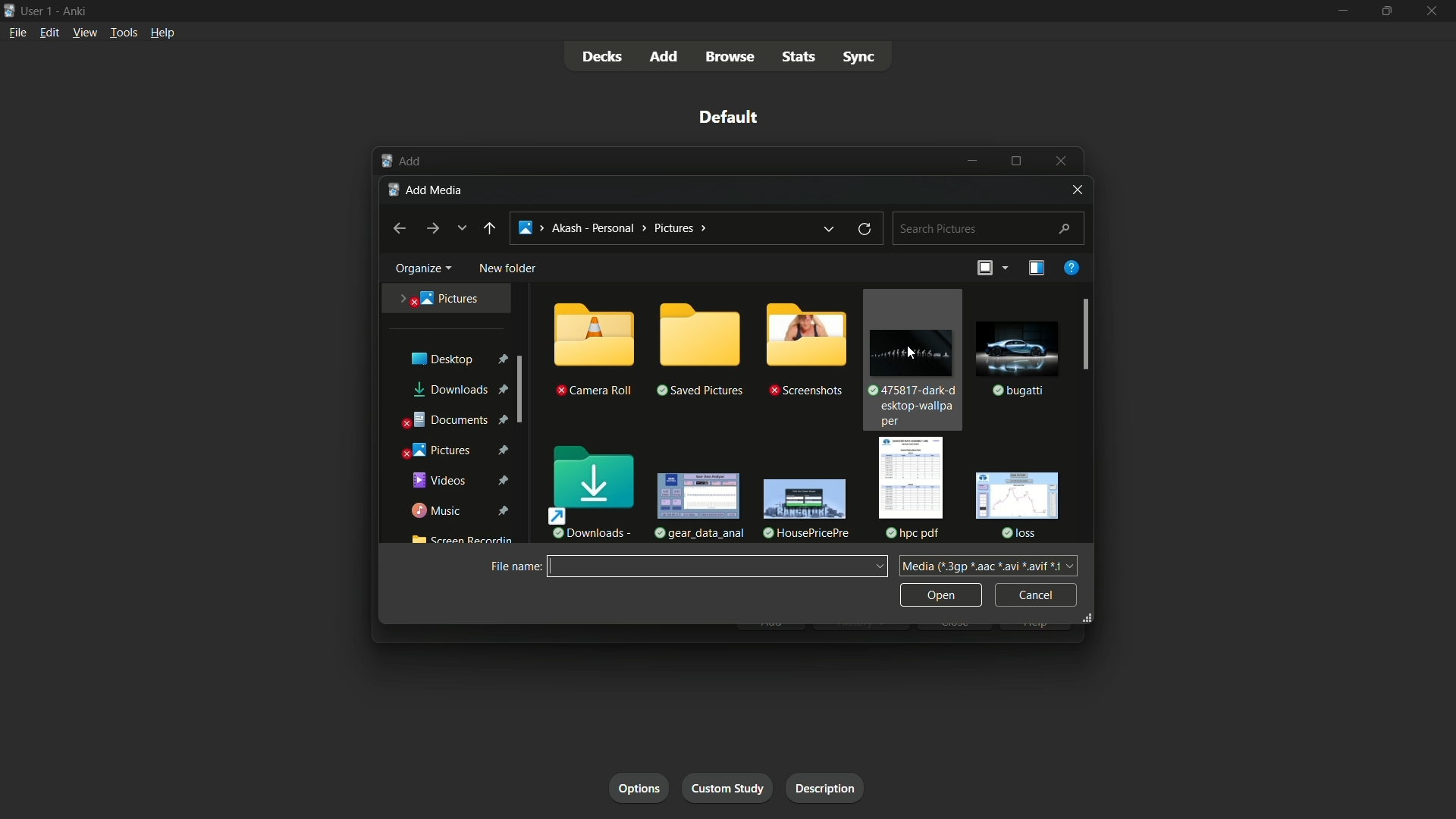  I want to click on Close, so click(1062, 160).